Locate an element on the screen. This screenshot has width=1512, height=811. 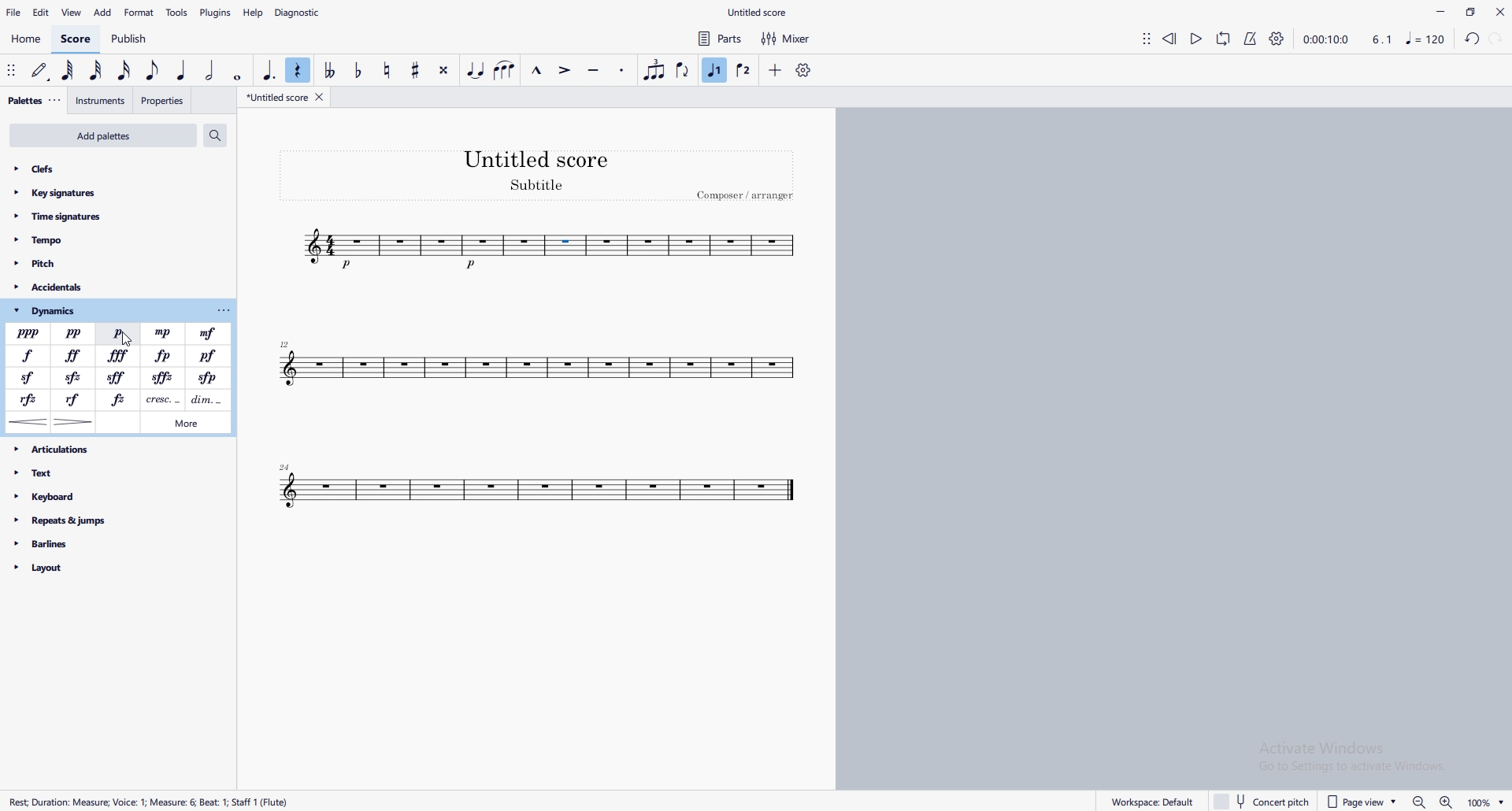
more is located at coordinates (187, 423).